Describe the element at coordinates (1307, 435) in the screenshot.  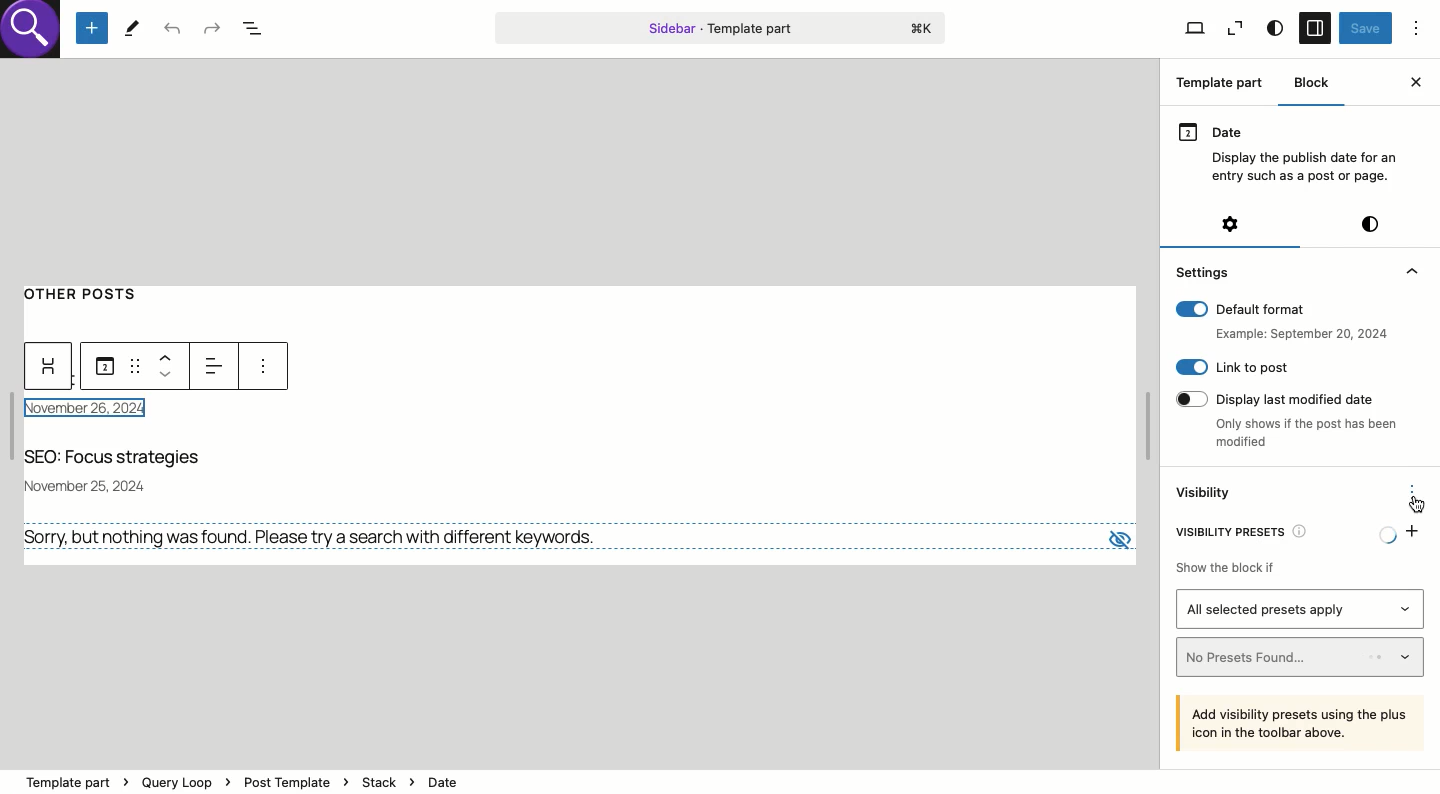
I see `only shows` at that location.